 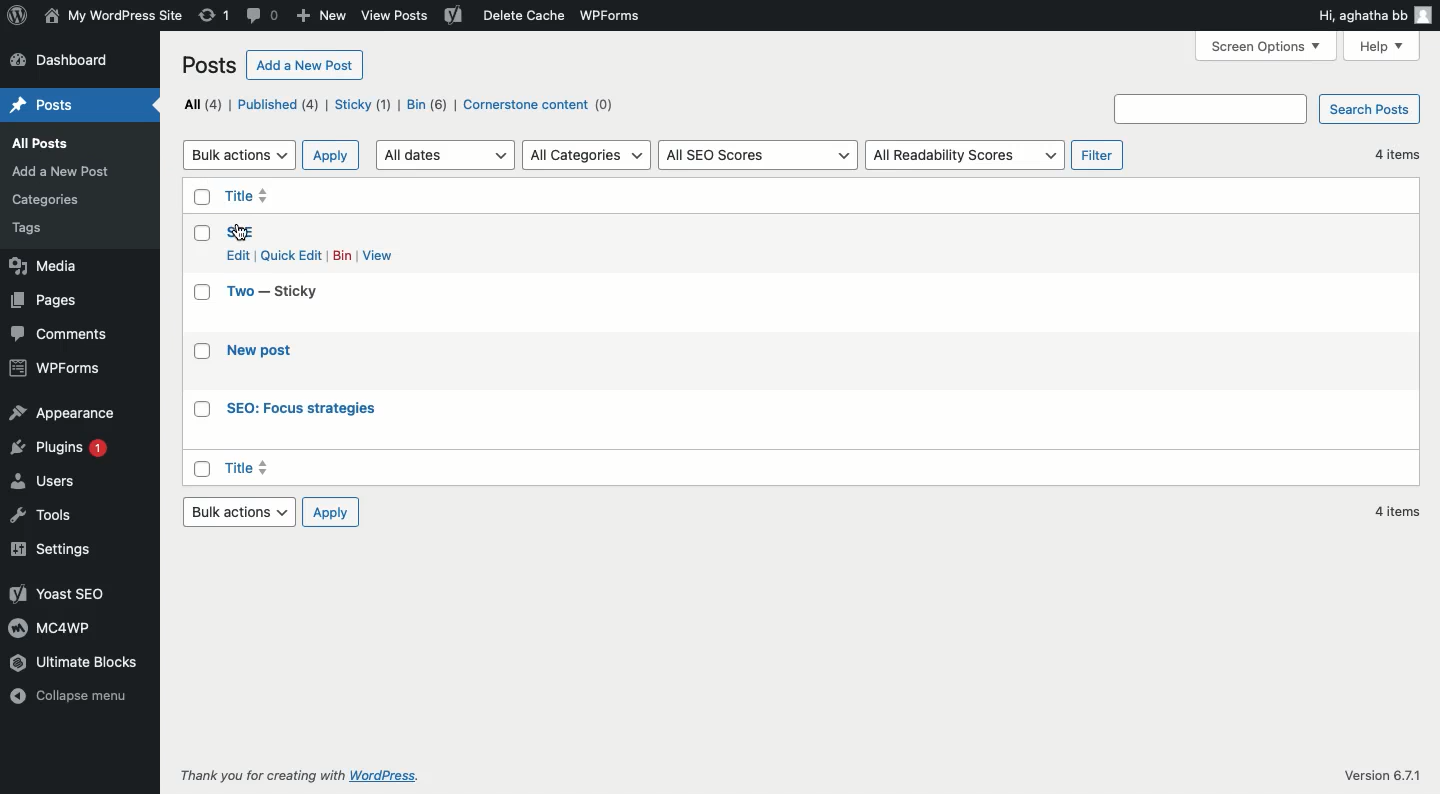 I want to click on Title, so click(x=262, y=196).